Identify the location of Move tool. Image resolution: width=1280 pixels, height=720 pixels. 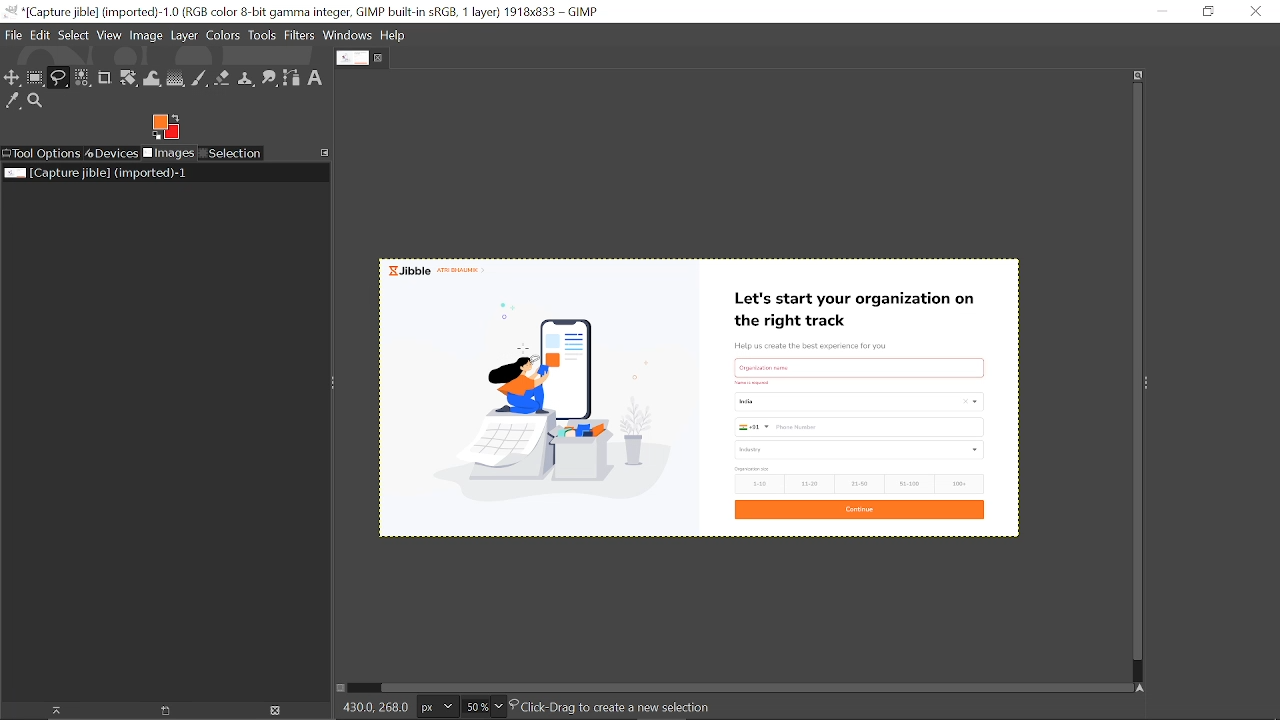
(12, 77).